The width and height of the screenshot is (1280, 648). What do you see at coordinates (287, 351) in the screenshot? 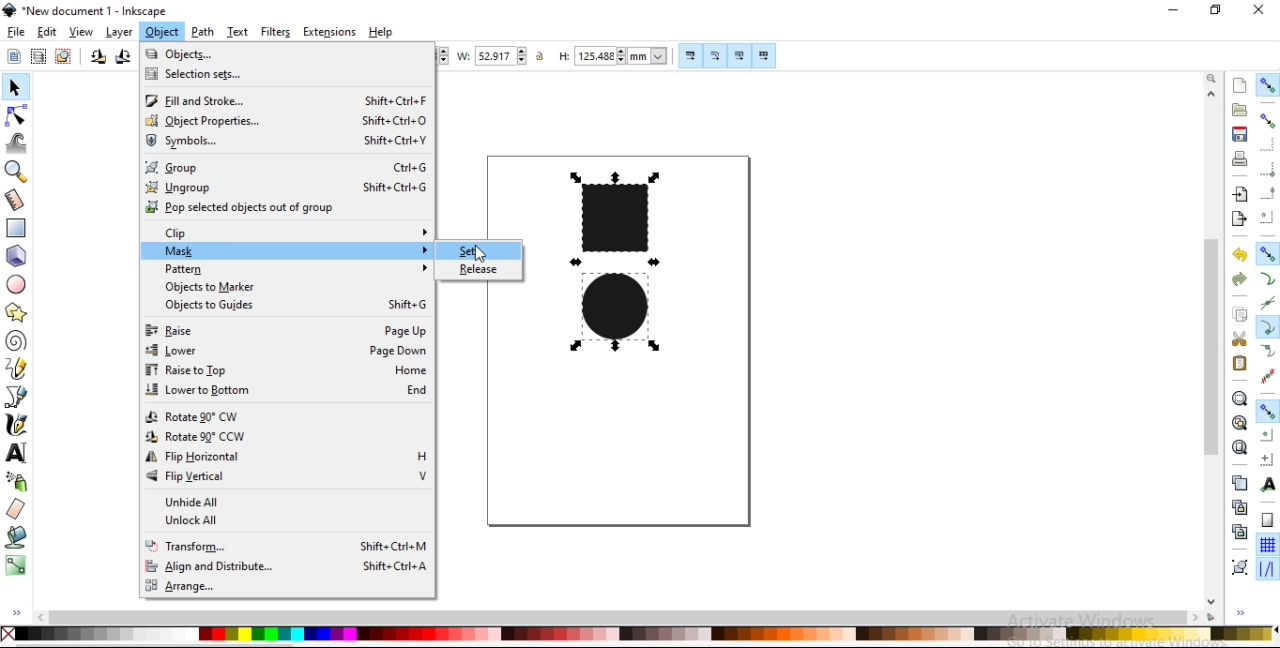
I see `lower` at bounding box center [287, 351].